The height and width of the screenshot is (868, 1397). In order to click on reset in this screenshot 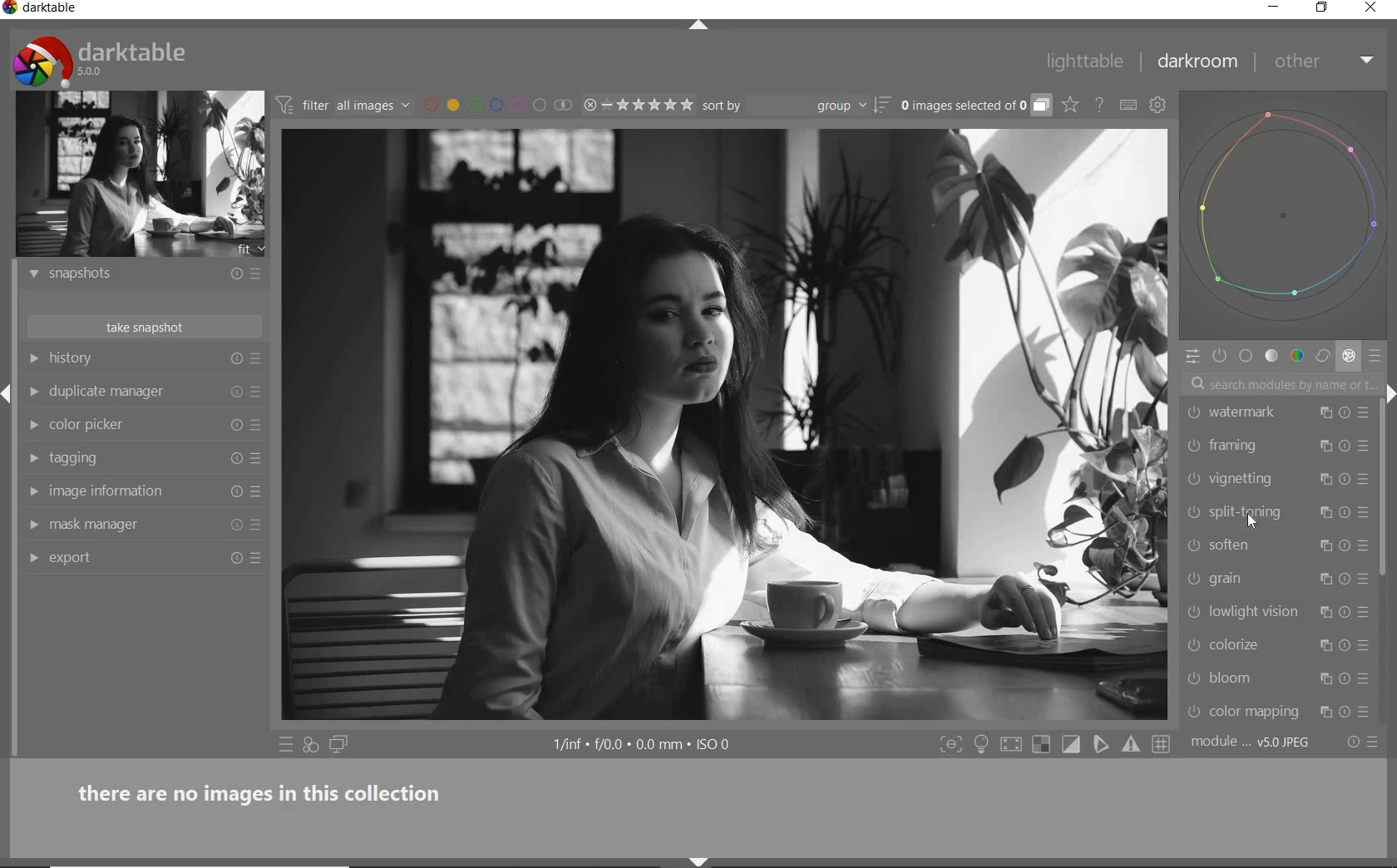, I will do `click(236, 423)`.